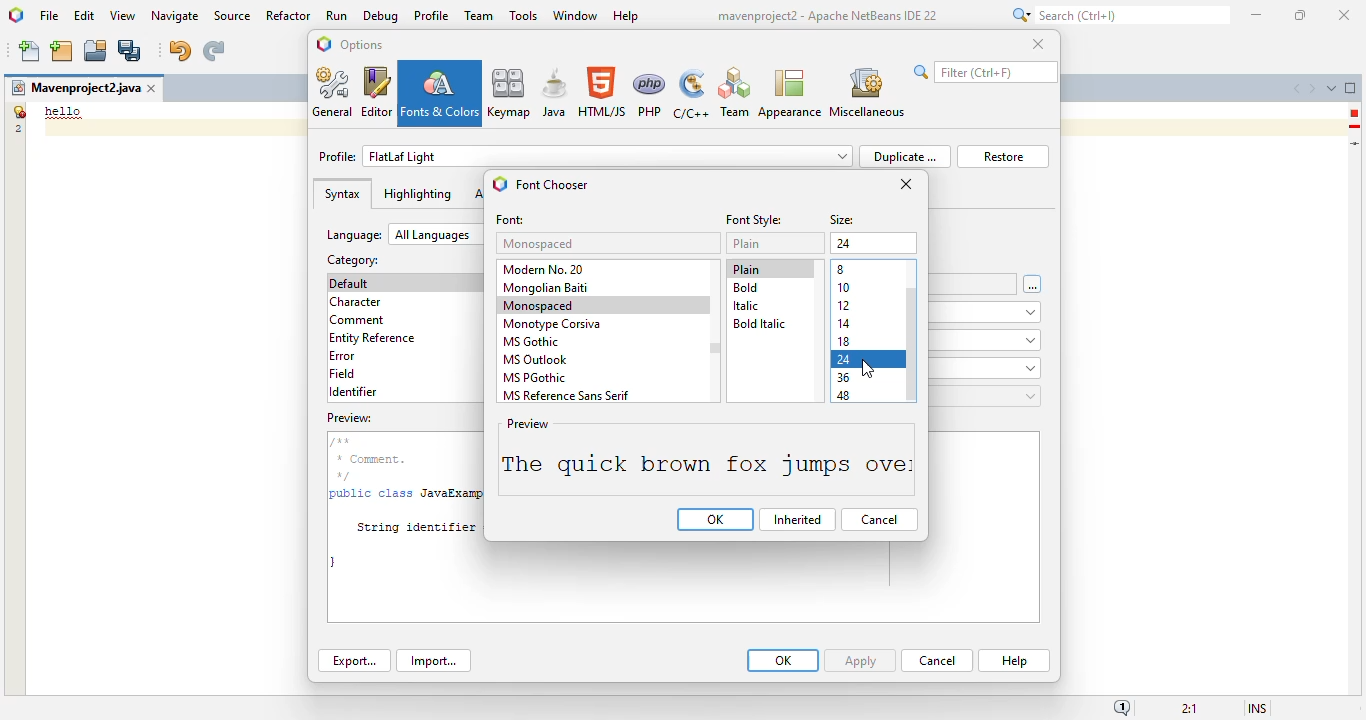 The width and height of the screenshot is (1366, 720). I want to click on monospaced, so click(540, 306).